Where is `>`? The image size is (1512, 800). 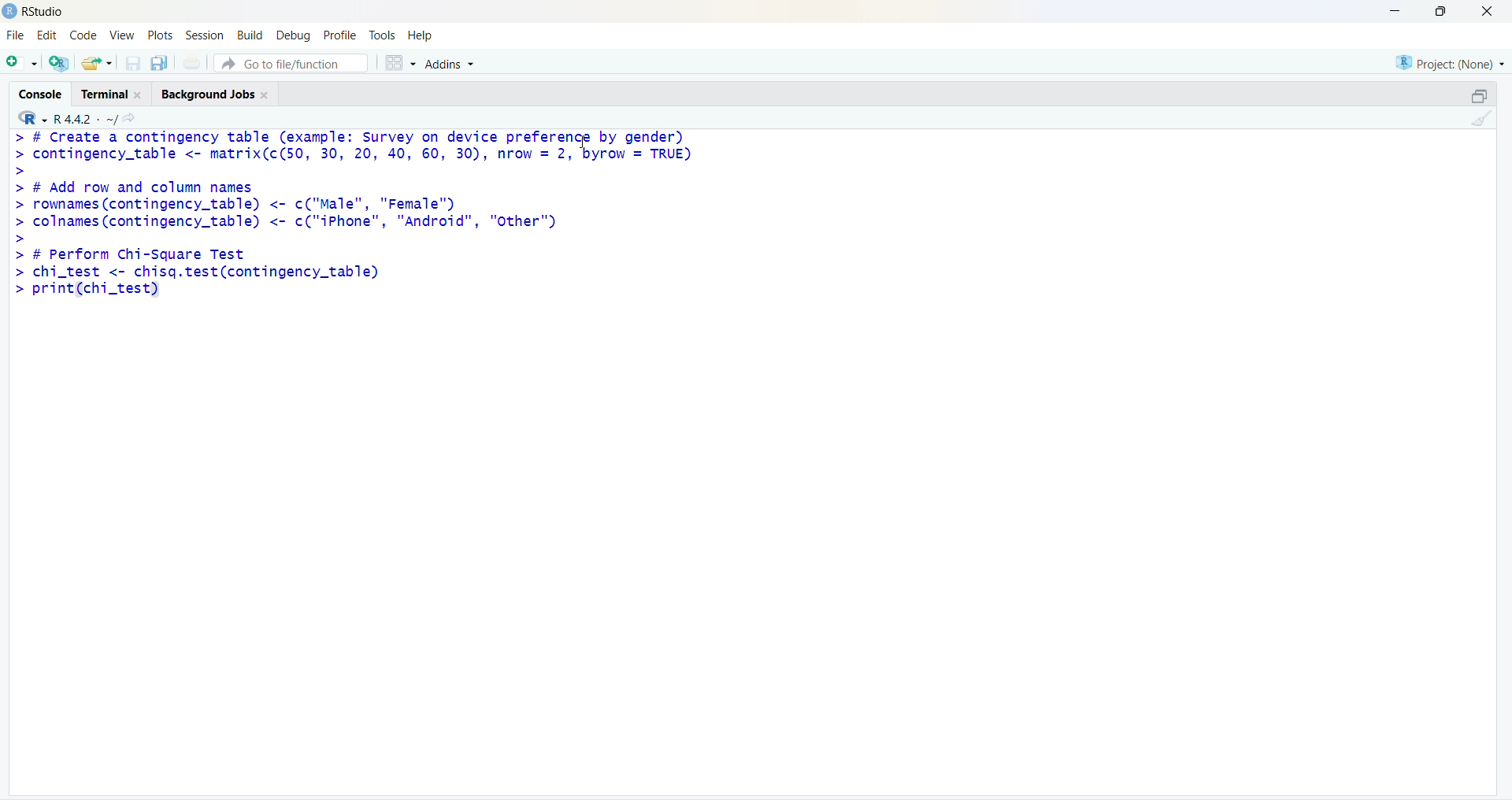 > is located at coordinates (22, 172).